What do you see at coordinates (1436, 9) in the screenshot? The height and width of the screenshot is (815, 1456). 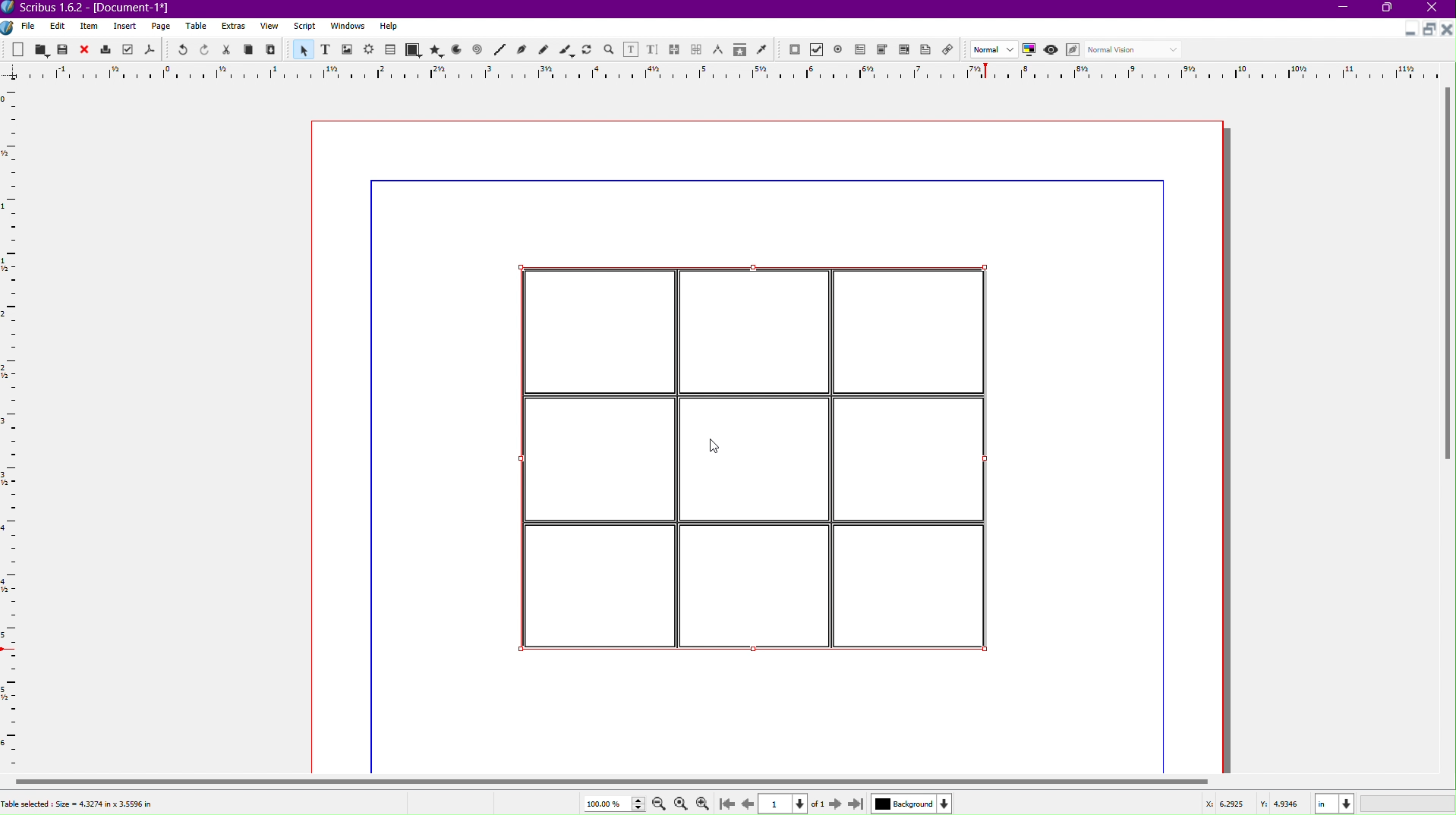 I see `Close` at bounding box center [1436, 9].